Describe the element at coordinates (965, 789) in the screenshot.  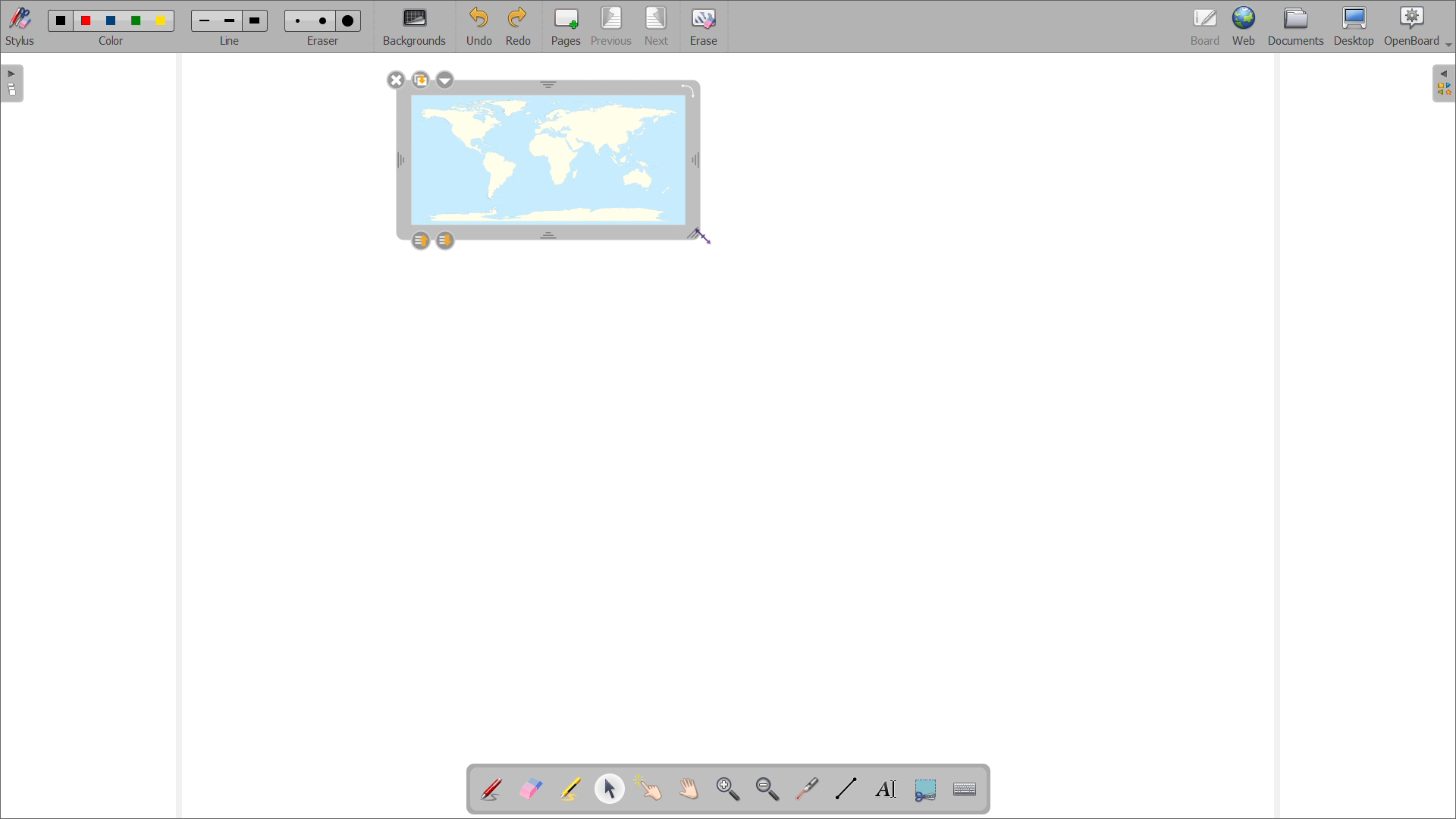
I see `virtual keyboard` at that location.